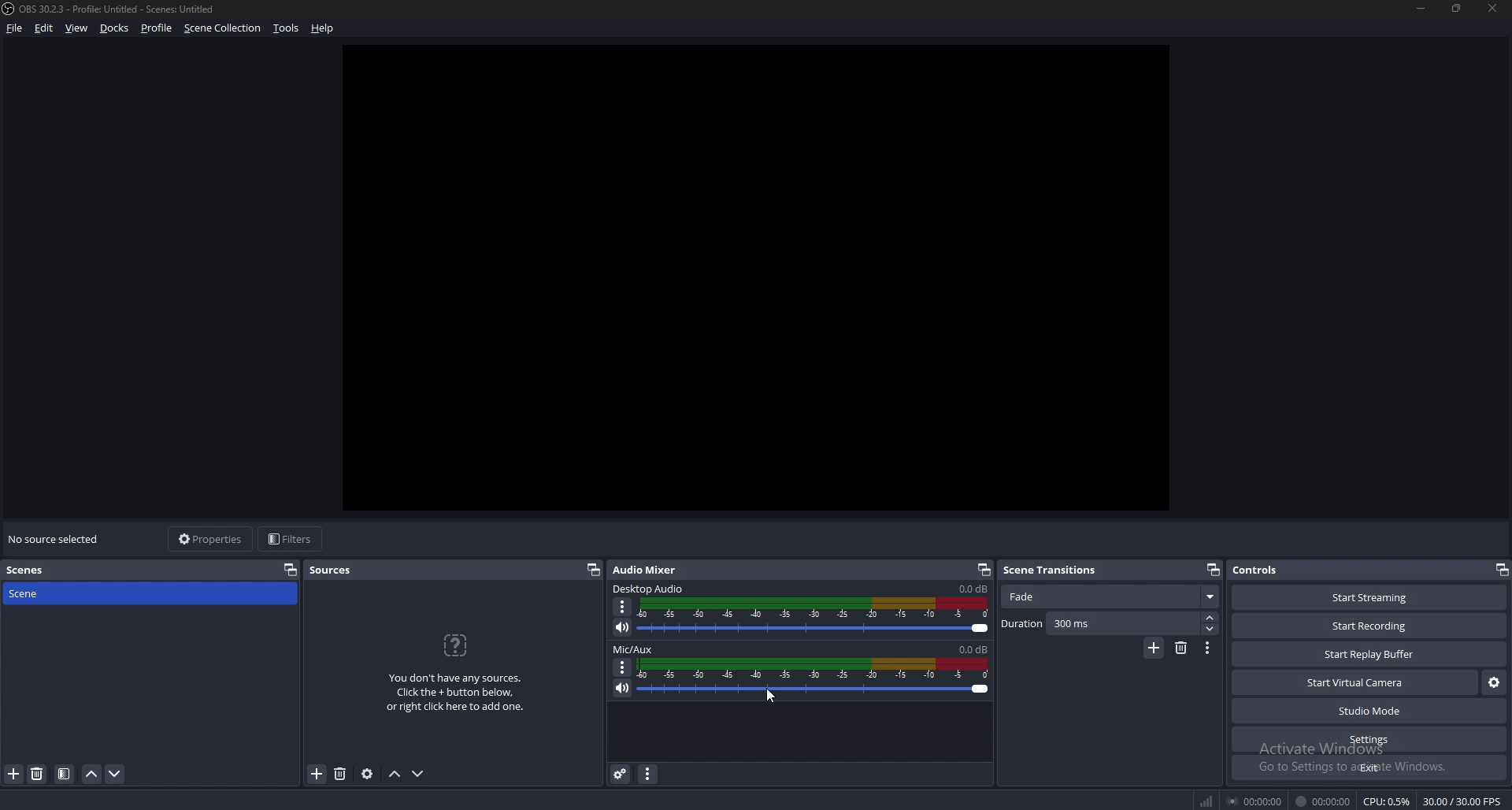  Describe the element at coordinates (649, 588) in the screenshot. I see `desktop audio` at that location.